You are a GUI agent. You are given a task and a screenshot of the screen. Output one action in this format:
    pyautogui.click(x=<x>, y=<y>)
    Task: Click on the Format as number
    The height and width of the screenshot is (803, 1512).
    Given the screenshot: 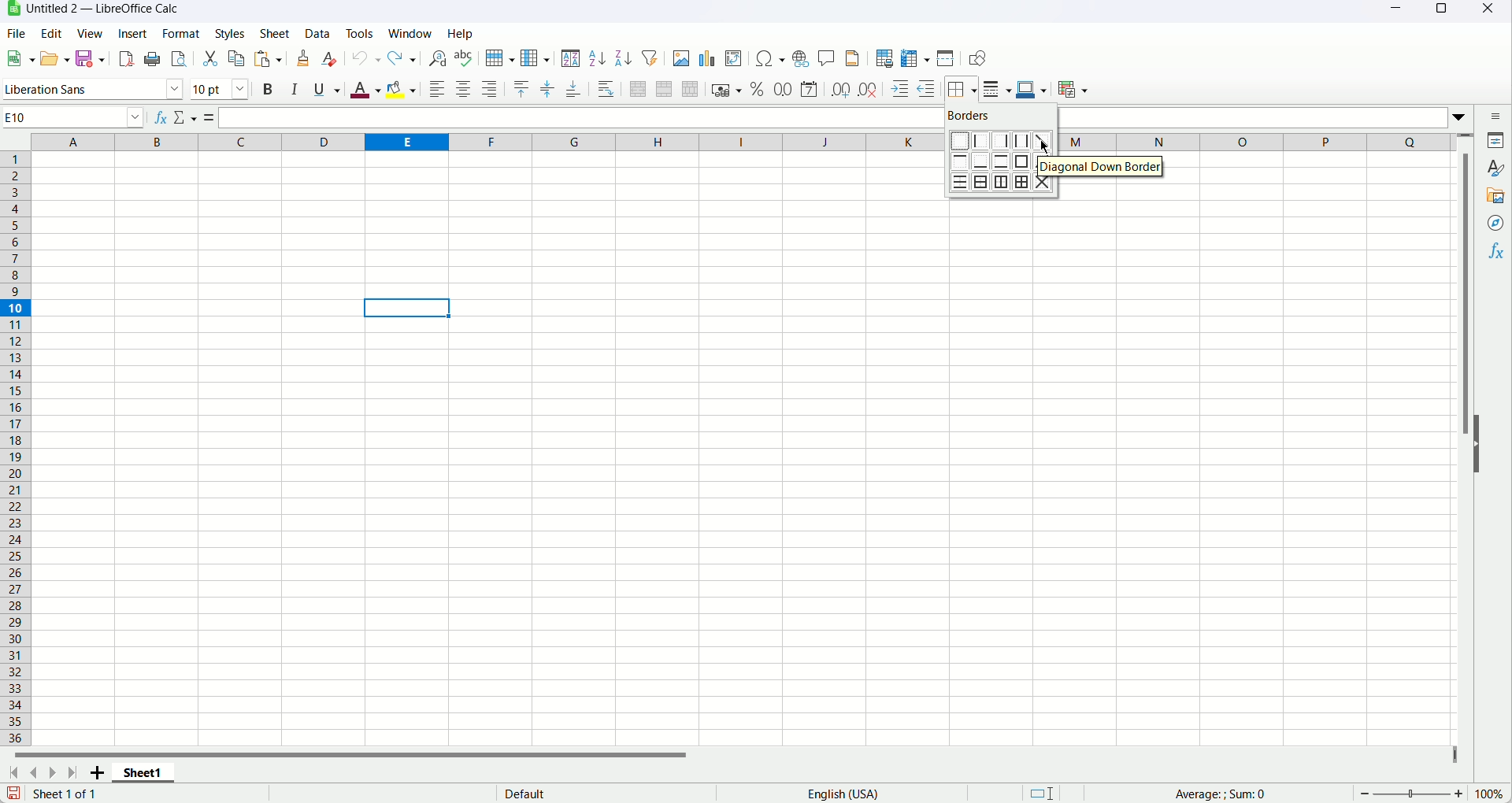 What is the action you would take?
    pyautogui.click(x=784, y=87)
    